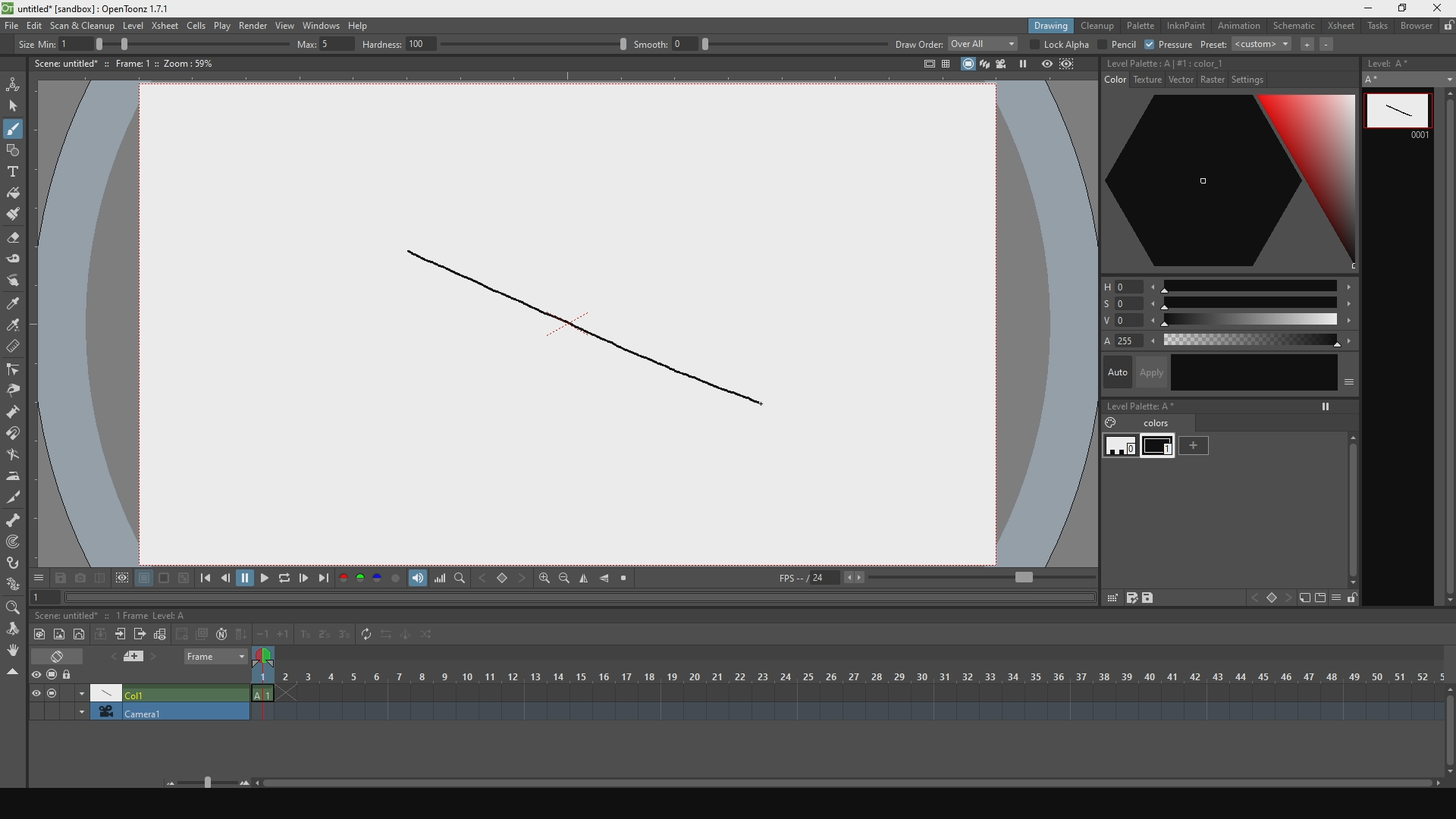  Describe the element at coordinates (14, 476) in the screenshot. I see `iron` at that location.